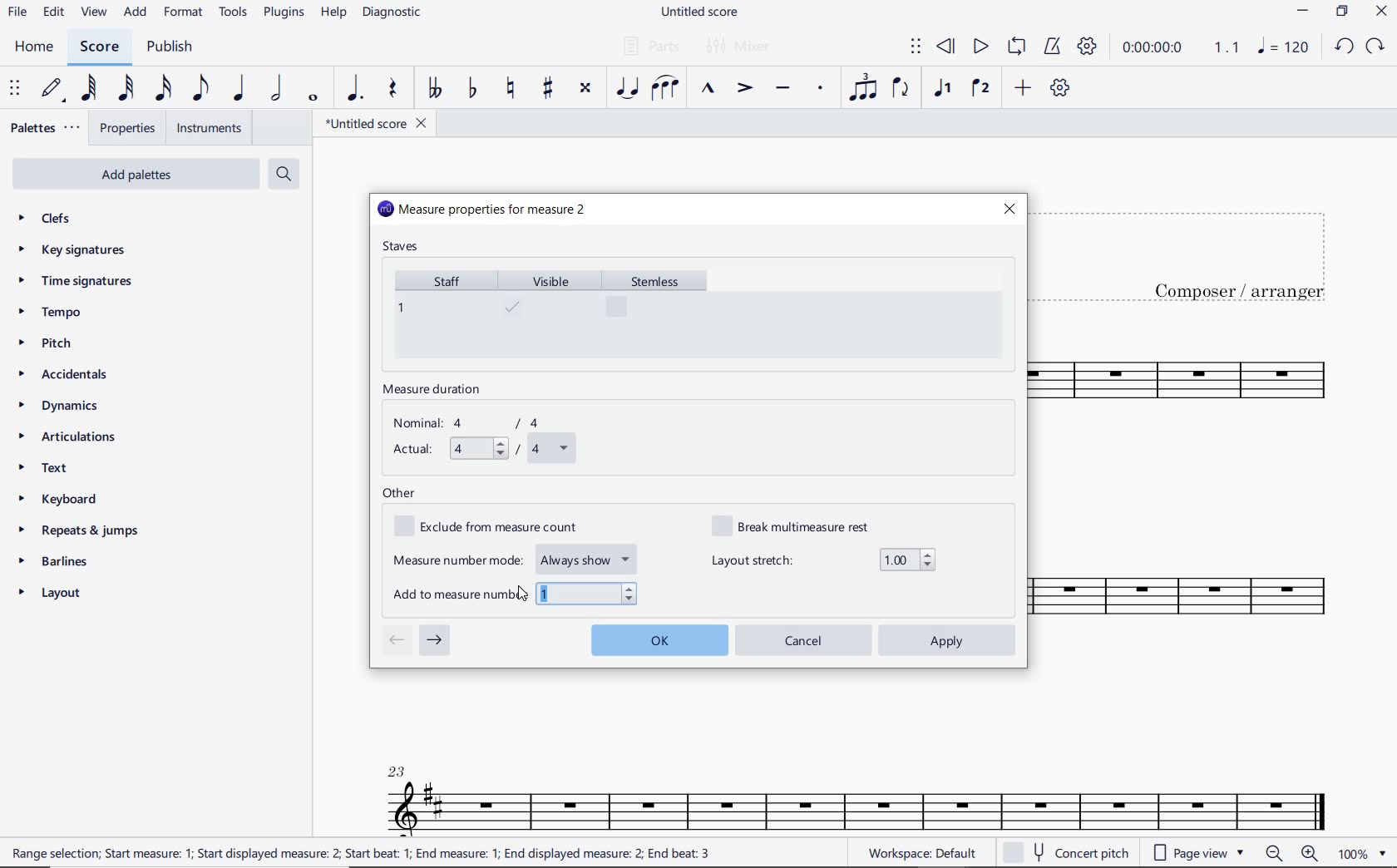 The height and width of the screenshot is (868, 1397). Describe the element at coordinates (1069, 853) in the screenshot. I see `concert pitch` at that location.